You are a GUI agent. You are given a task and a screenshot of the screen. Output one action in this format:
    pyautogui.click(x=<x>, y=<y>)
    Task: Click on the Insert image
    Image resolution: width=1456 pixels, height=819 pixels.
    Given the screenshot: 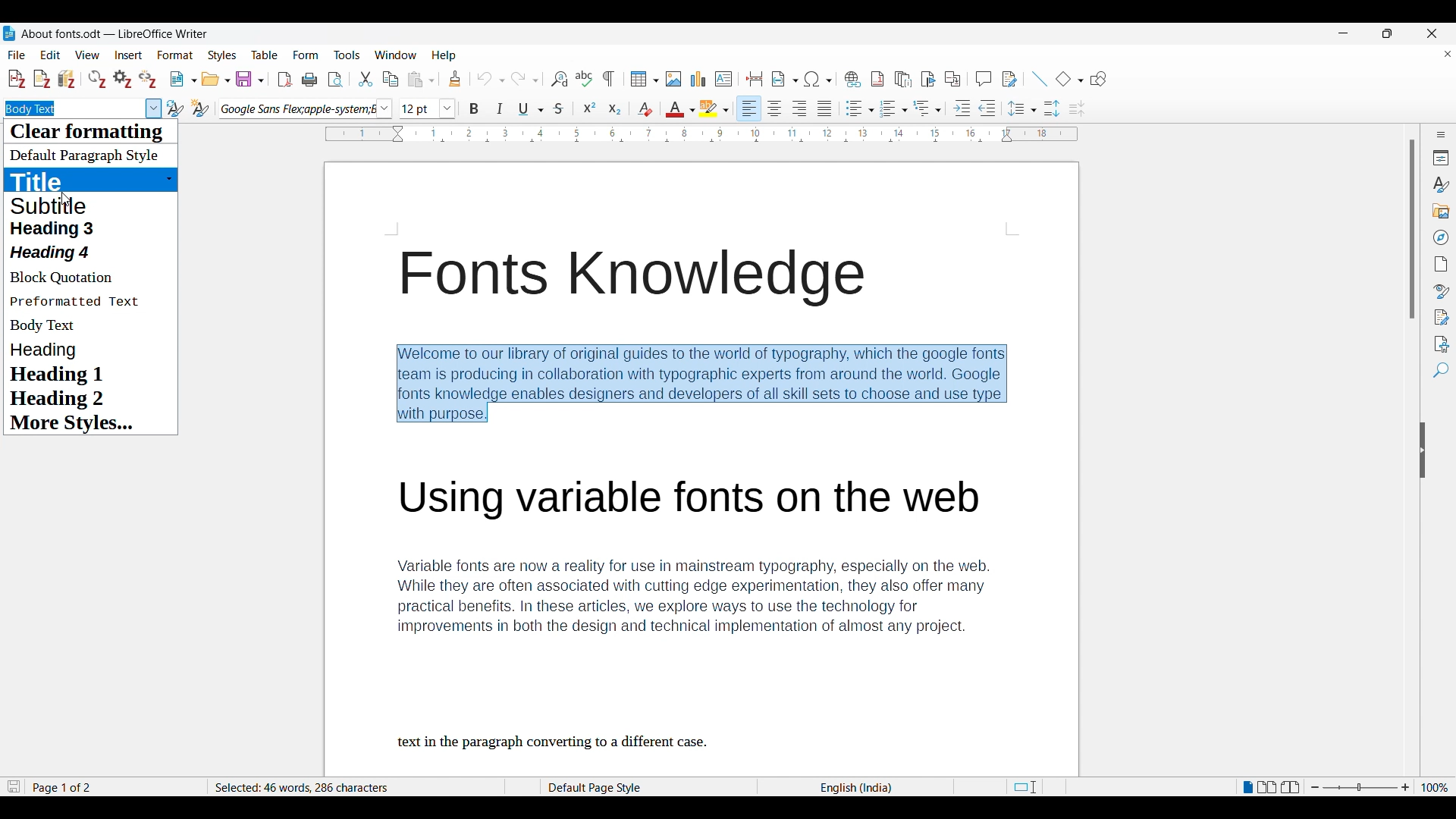 What is the action you would take?
    pyautogui.click(x=673, y=79)
    